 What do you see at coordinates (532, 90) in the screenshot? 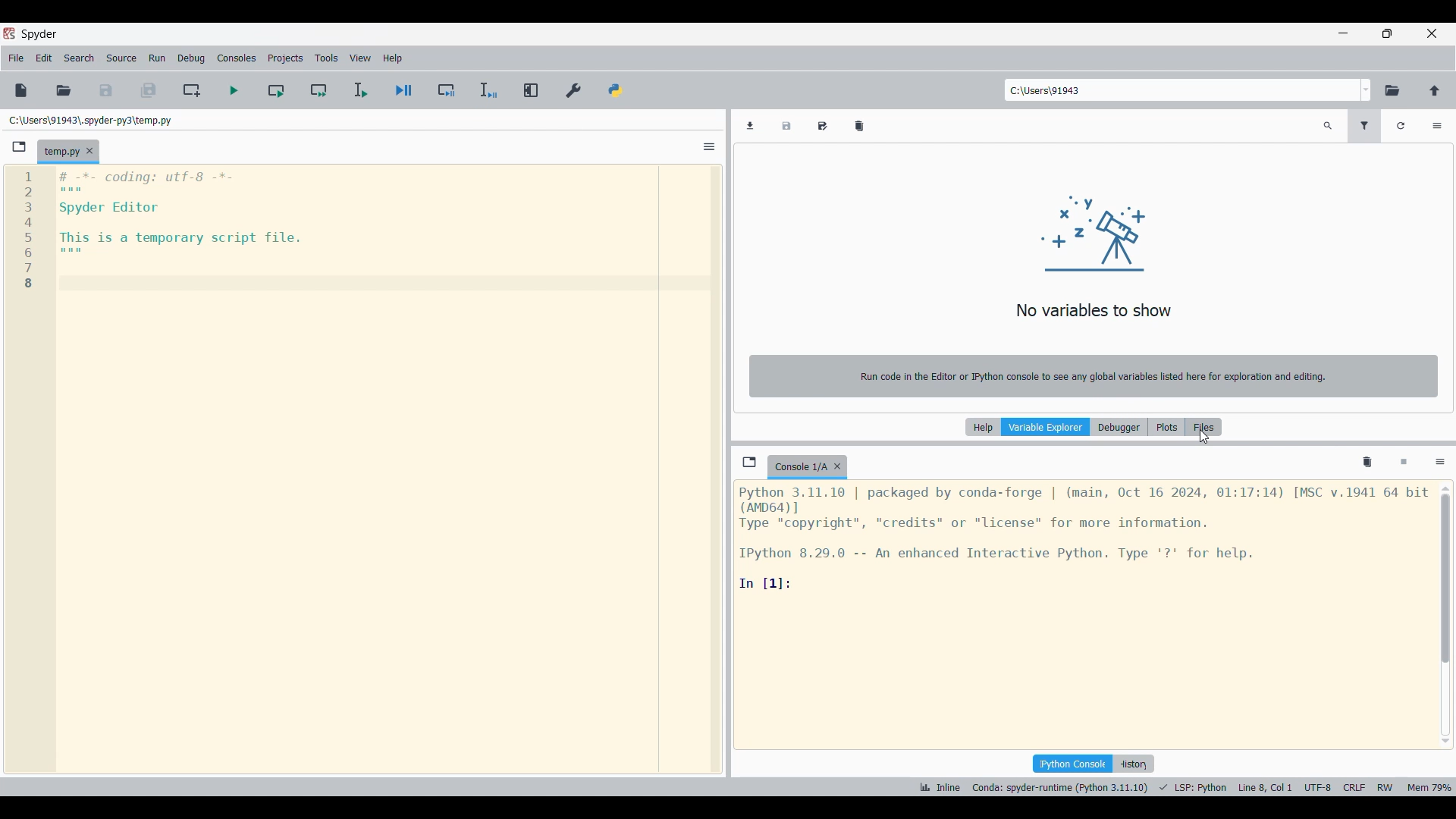
I see `Maximize current pane` at bounding box center [532, 90].